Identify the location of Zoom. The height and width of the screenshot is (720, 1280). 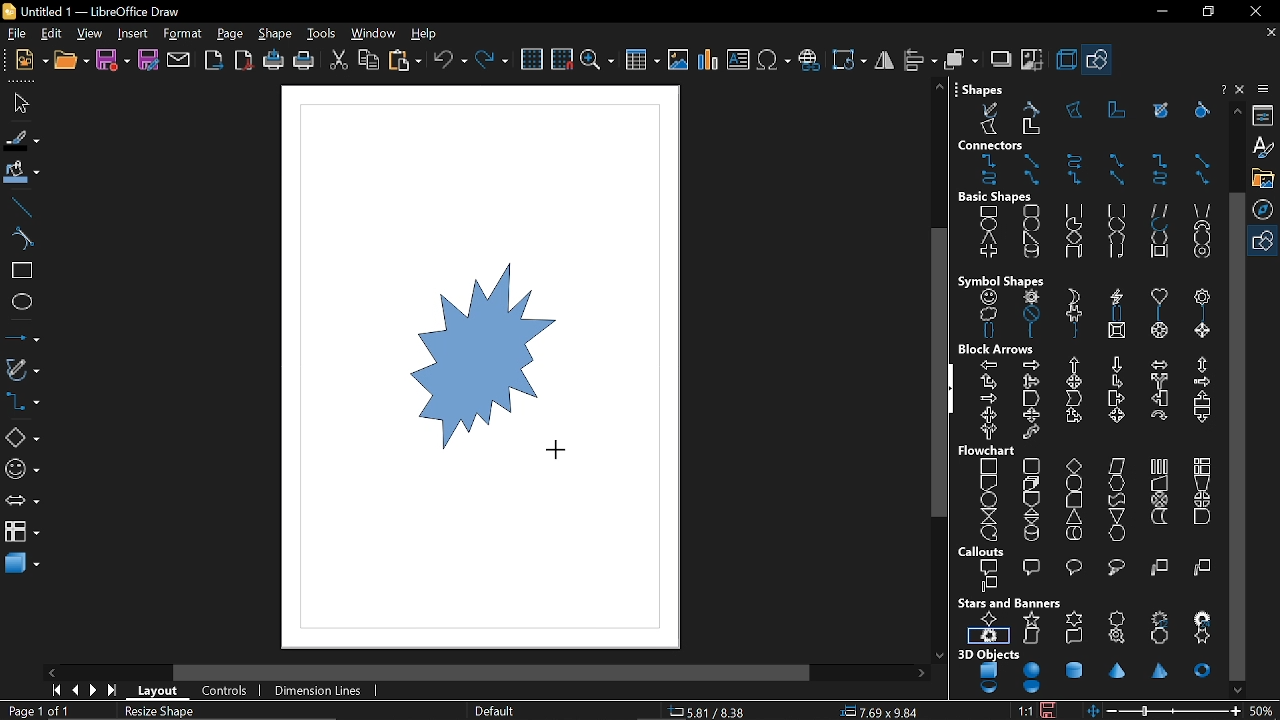
(1265, 710).